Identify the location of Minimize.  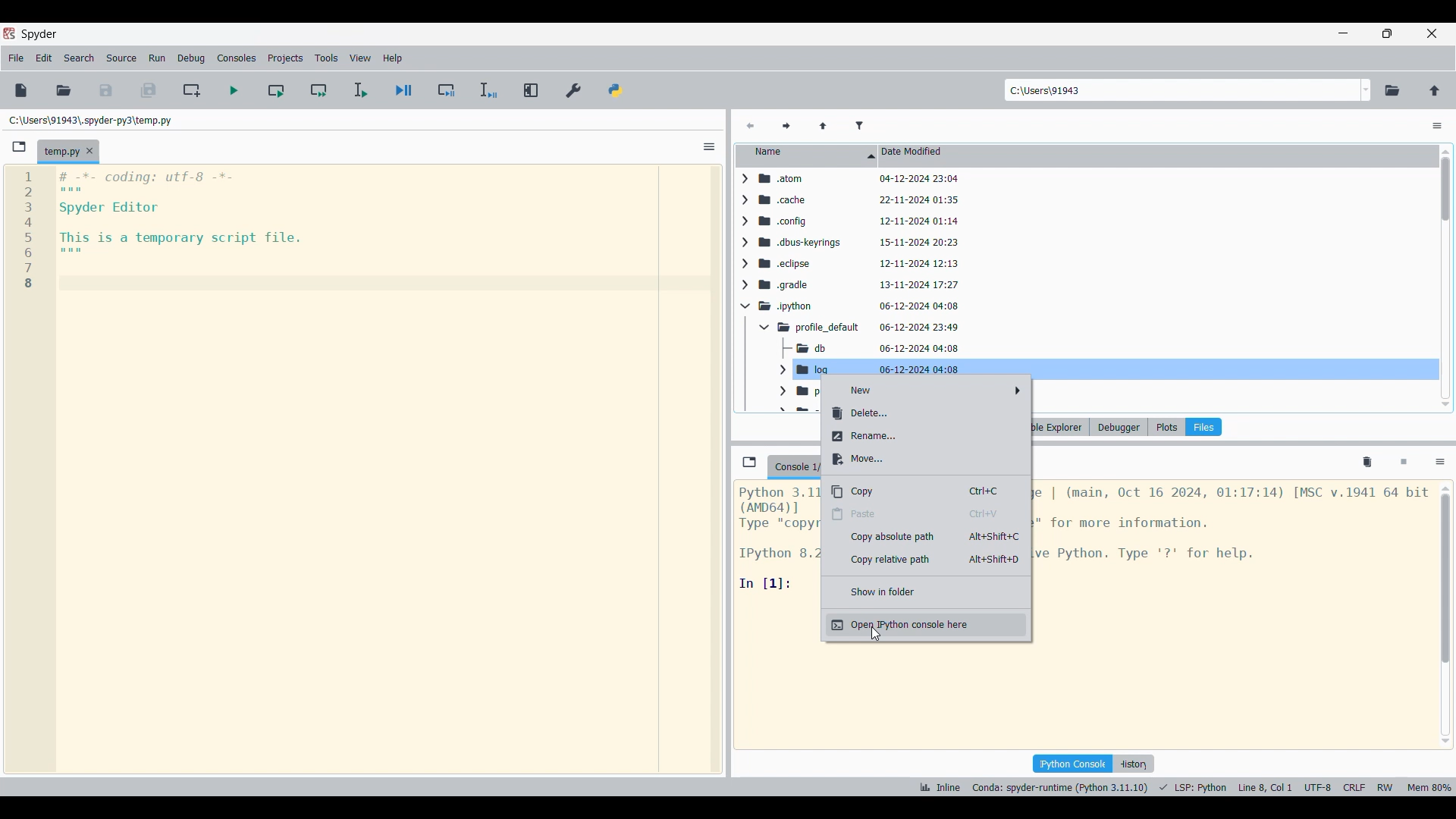
(1343, 33).